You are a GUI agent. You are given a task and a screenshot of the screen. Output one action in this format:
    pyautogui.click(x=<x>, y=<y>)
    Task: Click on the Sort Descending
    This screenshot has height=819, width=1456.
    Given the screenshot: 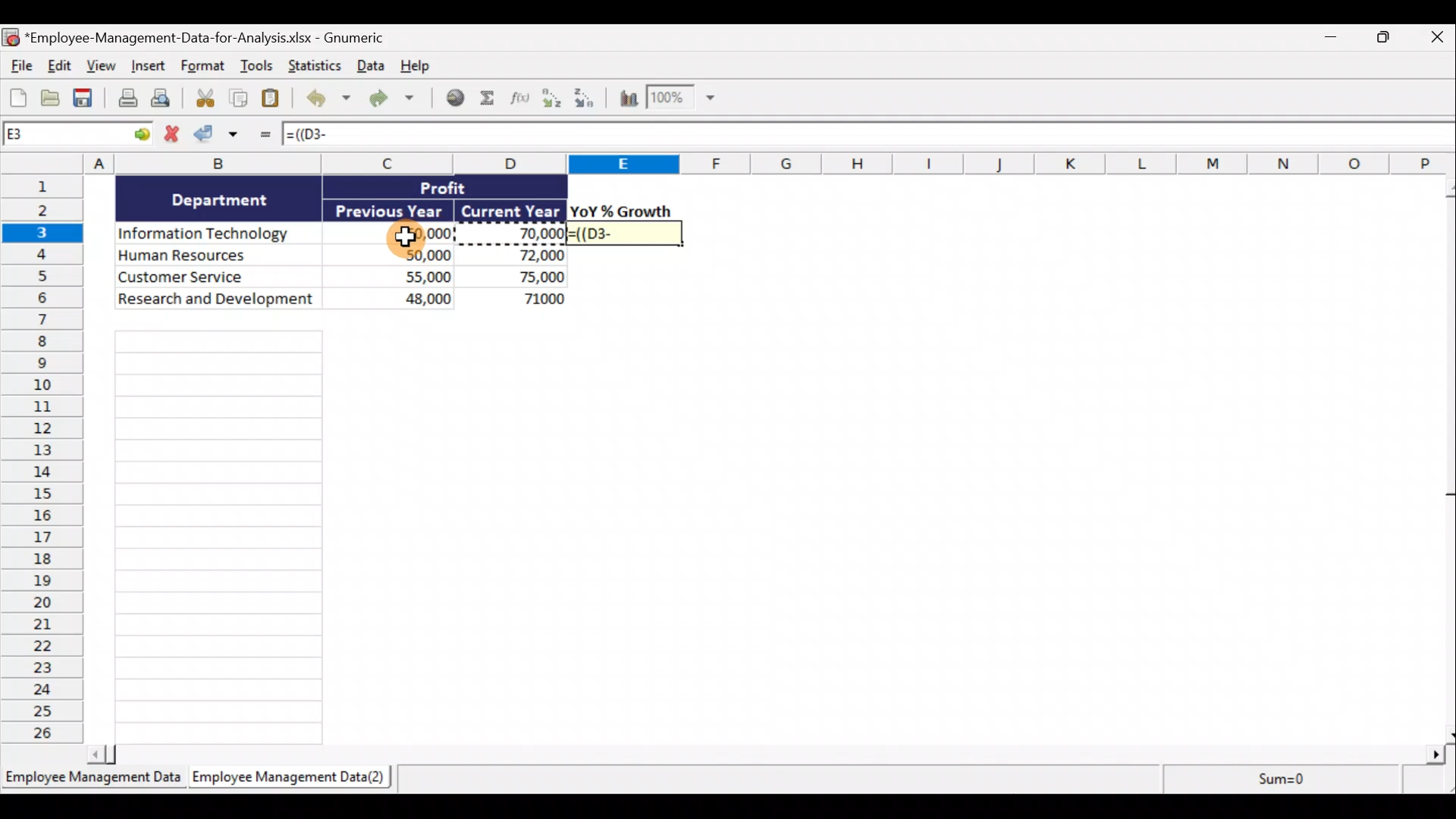 What is the action you would take?
    pyautogui.click(x=587, y=100)
    